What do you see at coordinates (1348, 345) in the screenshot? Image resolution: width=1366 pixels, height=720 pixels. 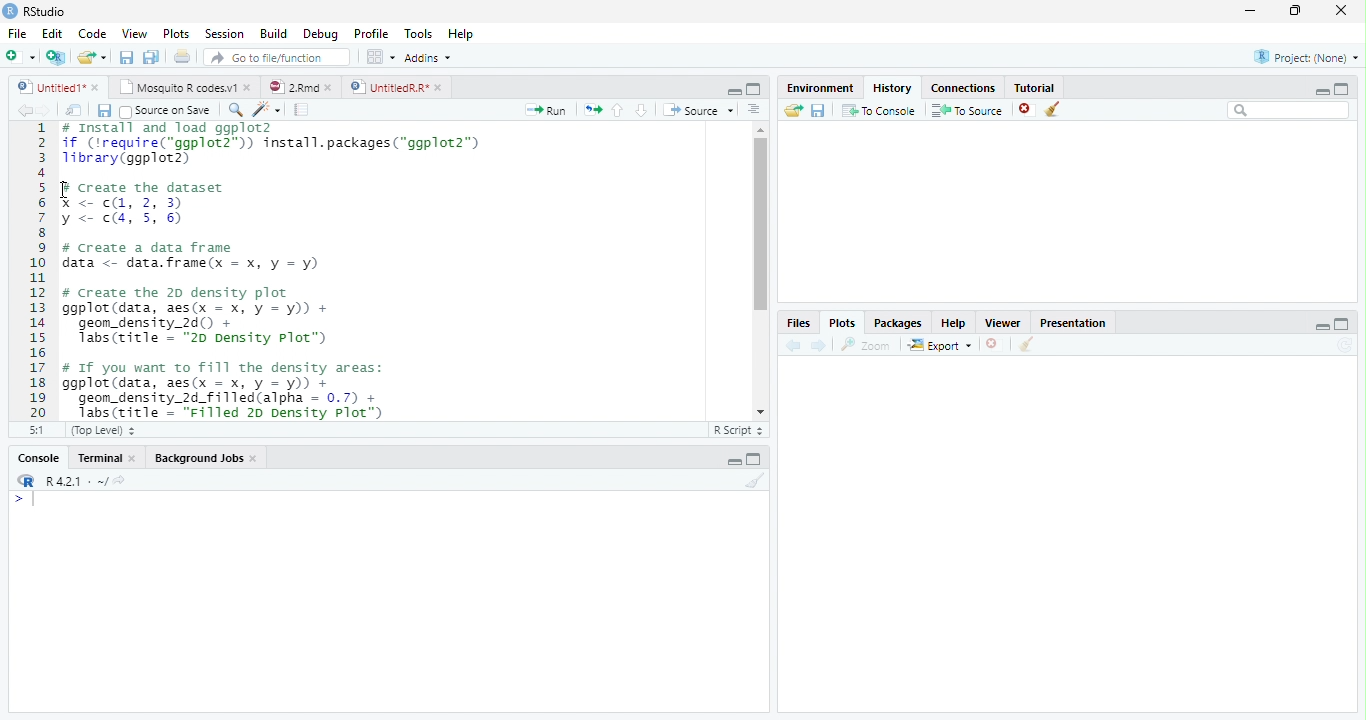 I see `Refresh` at bounding box center [1348, 345].